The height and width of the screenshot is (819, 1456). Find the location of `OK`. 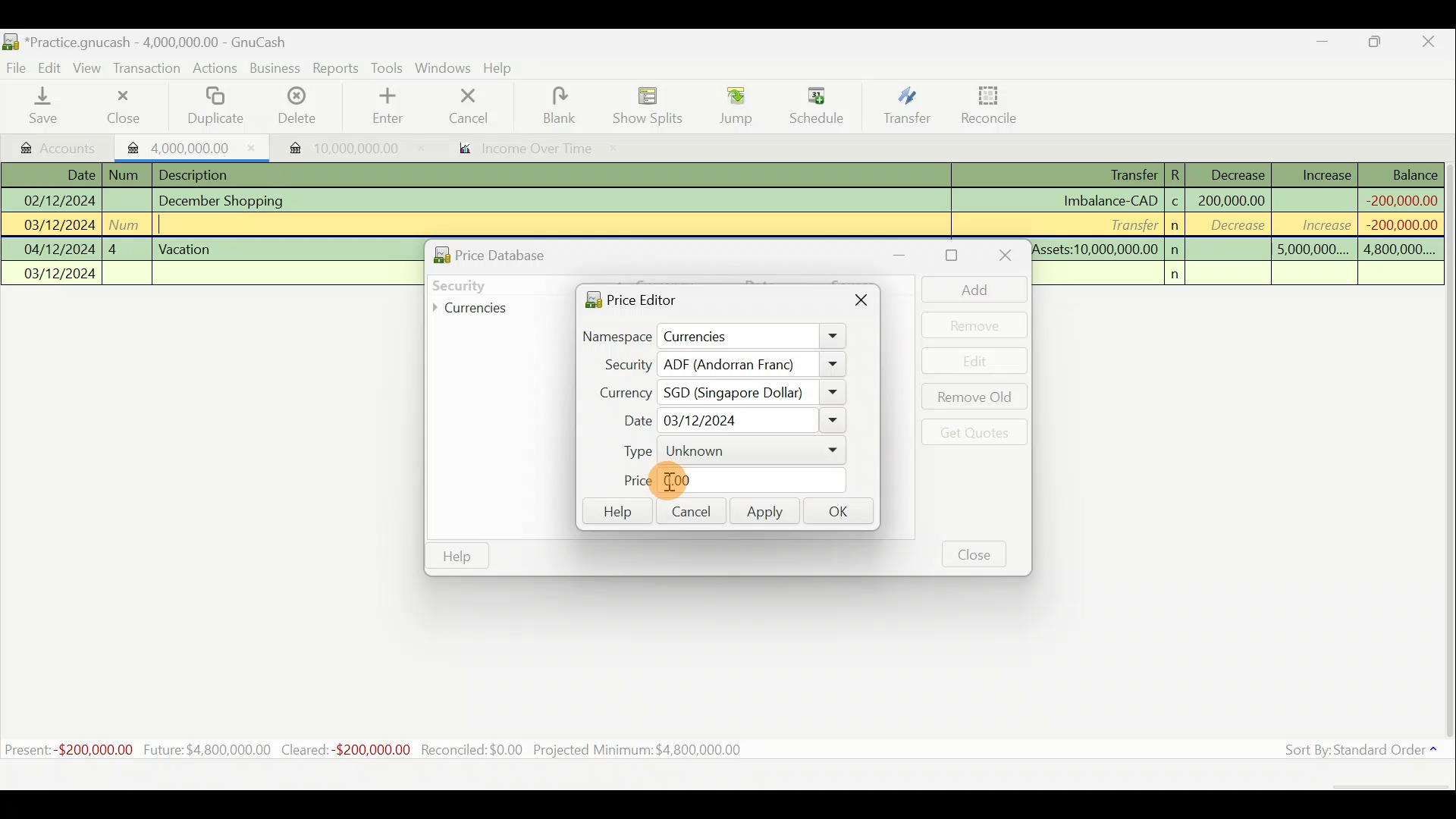

OK is located at coordinates (843, 513).